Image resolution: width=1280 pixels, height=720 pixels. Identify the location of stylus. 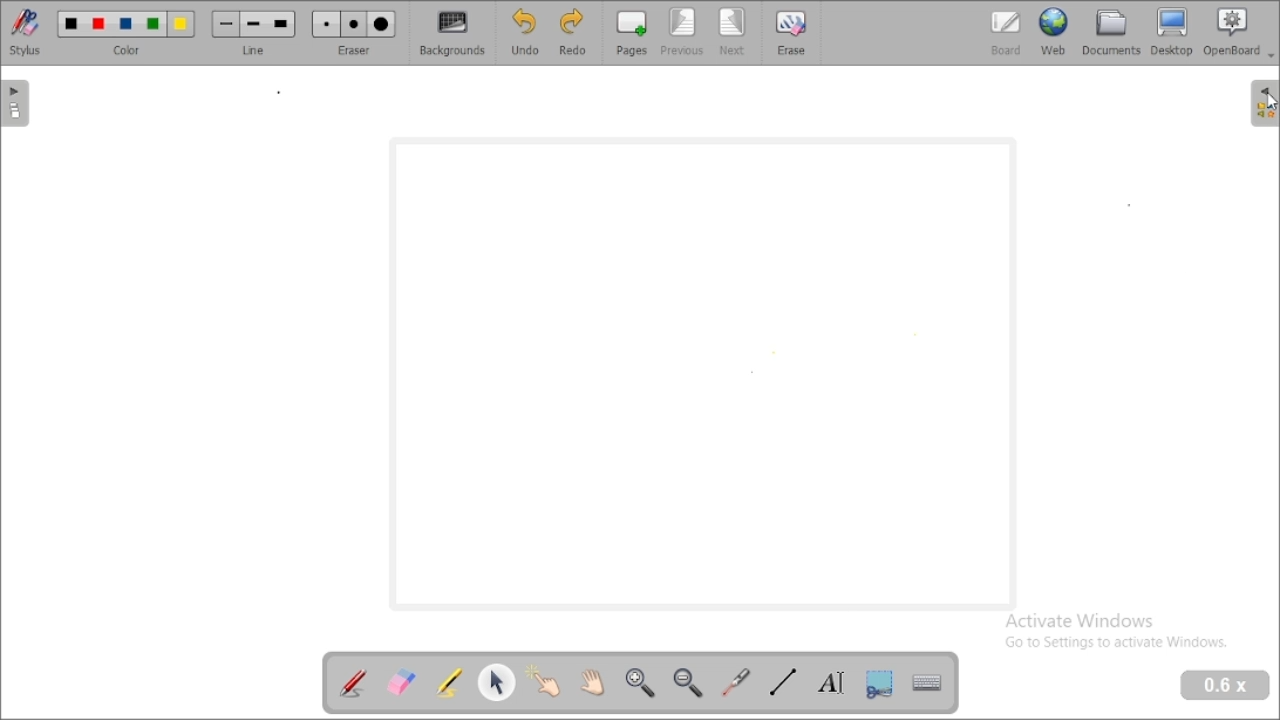
(25, 32).